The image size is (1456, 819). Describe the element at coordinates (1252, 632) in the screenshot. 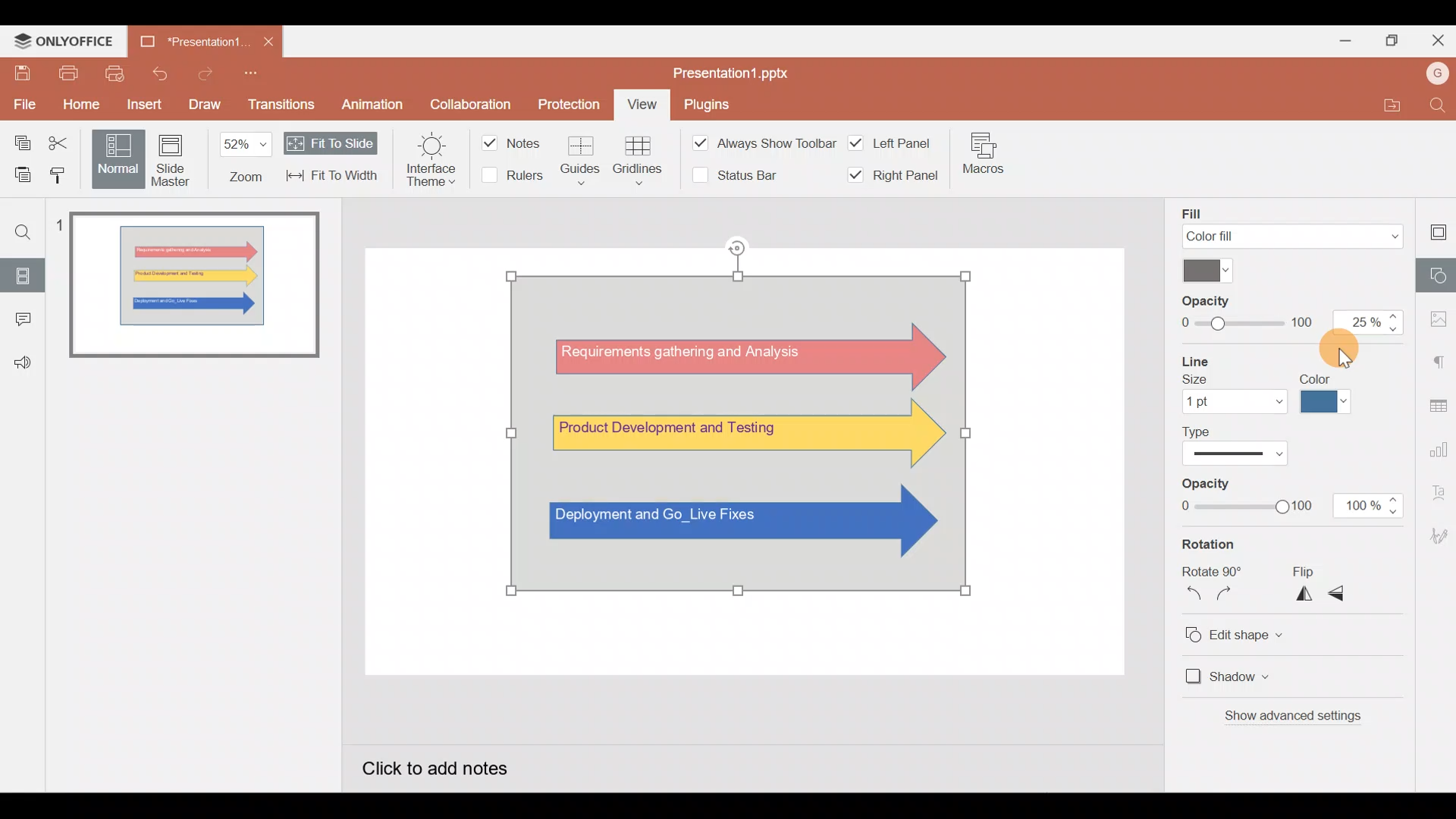

I see `Edit shape` at that location.